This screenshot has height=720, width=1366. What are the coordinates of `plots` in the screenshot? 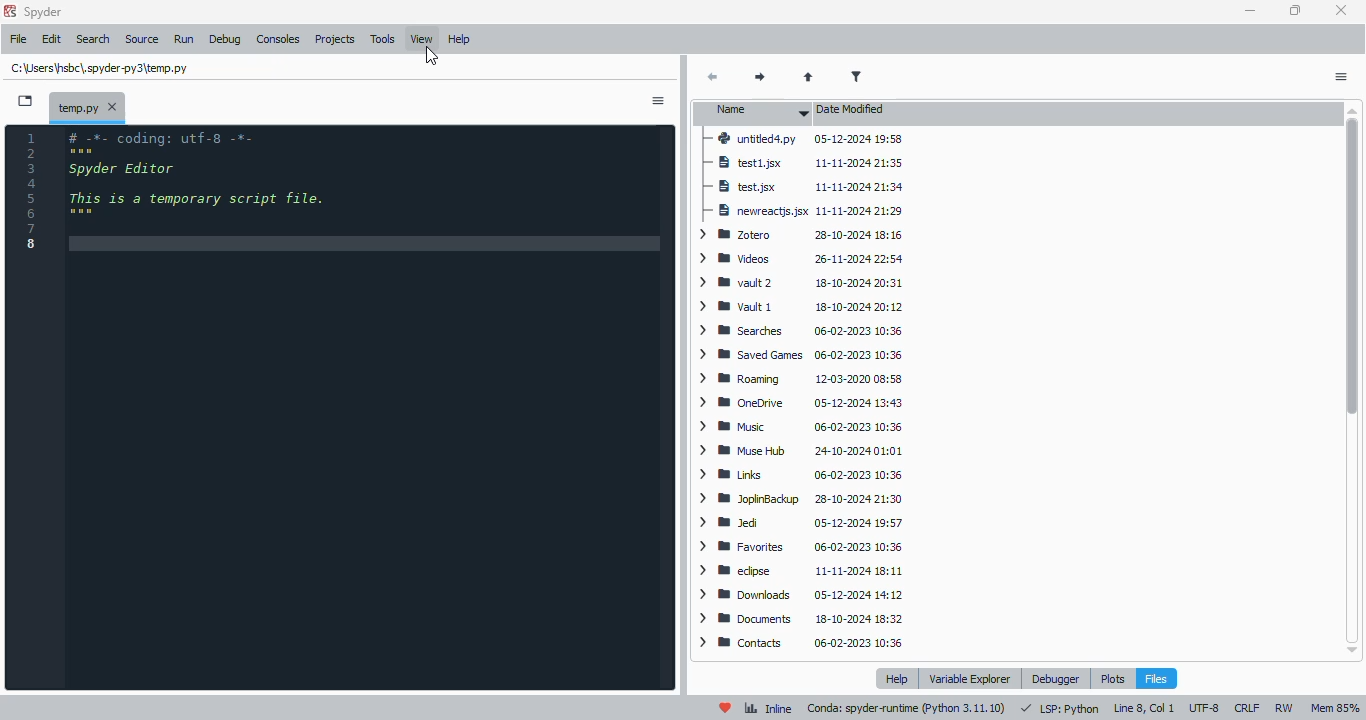 It's located at (1113, 677).